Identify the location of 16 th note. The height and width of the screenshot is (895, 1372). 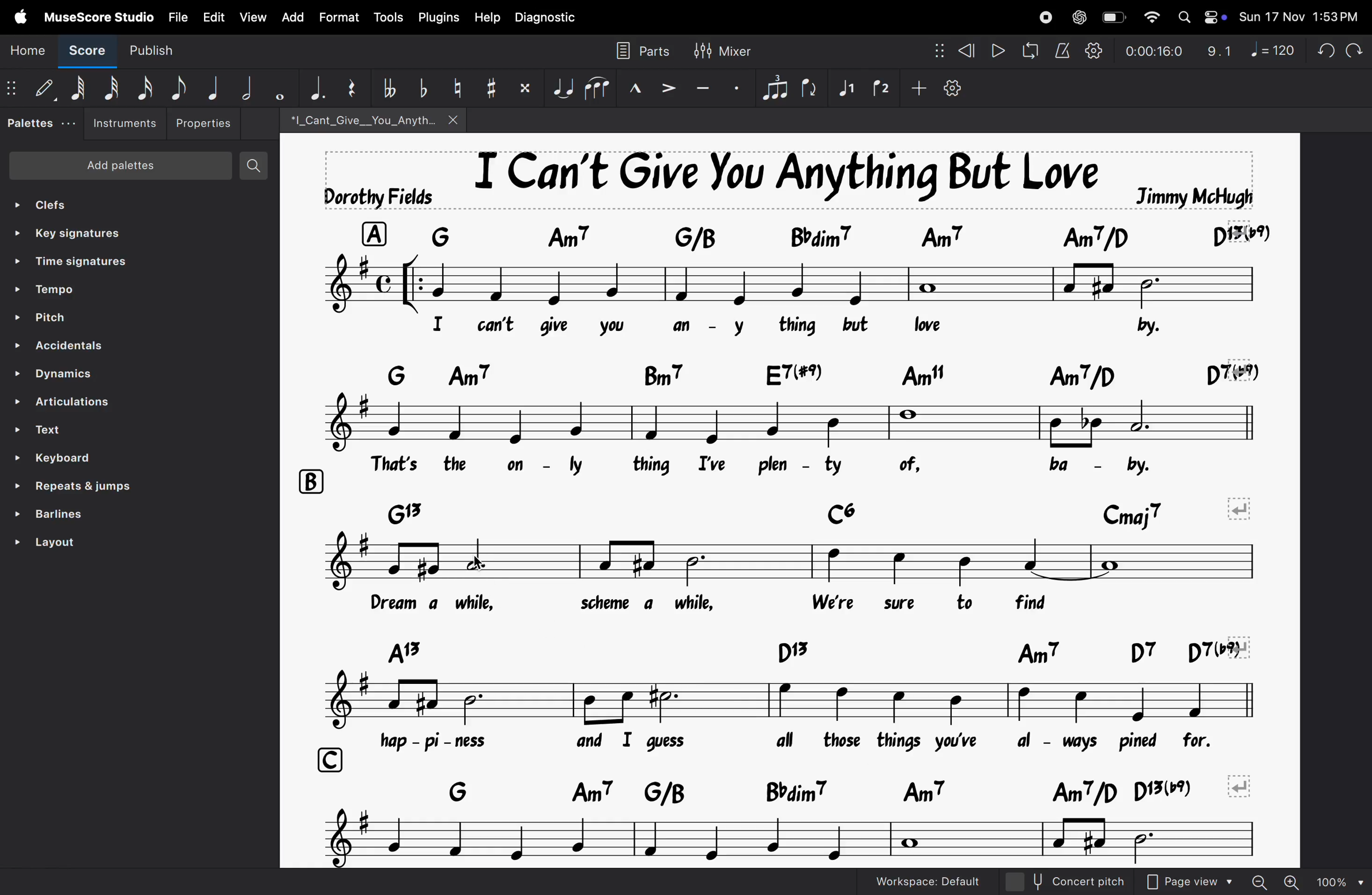
(145, 89).